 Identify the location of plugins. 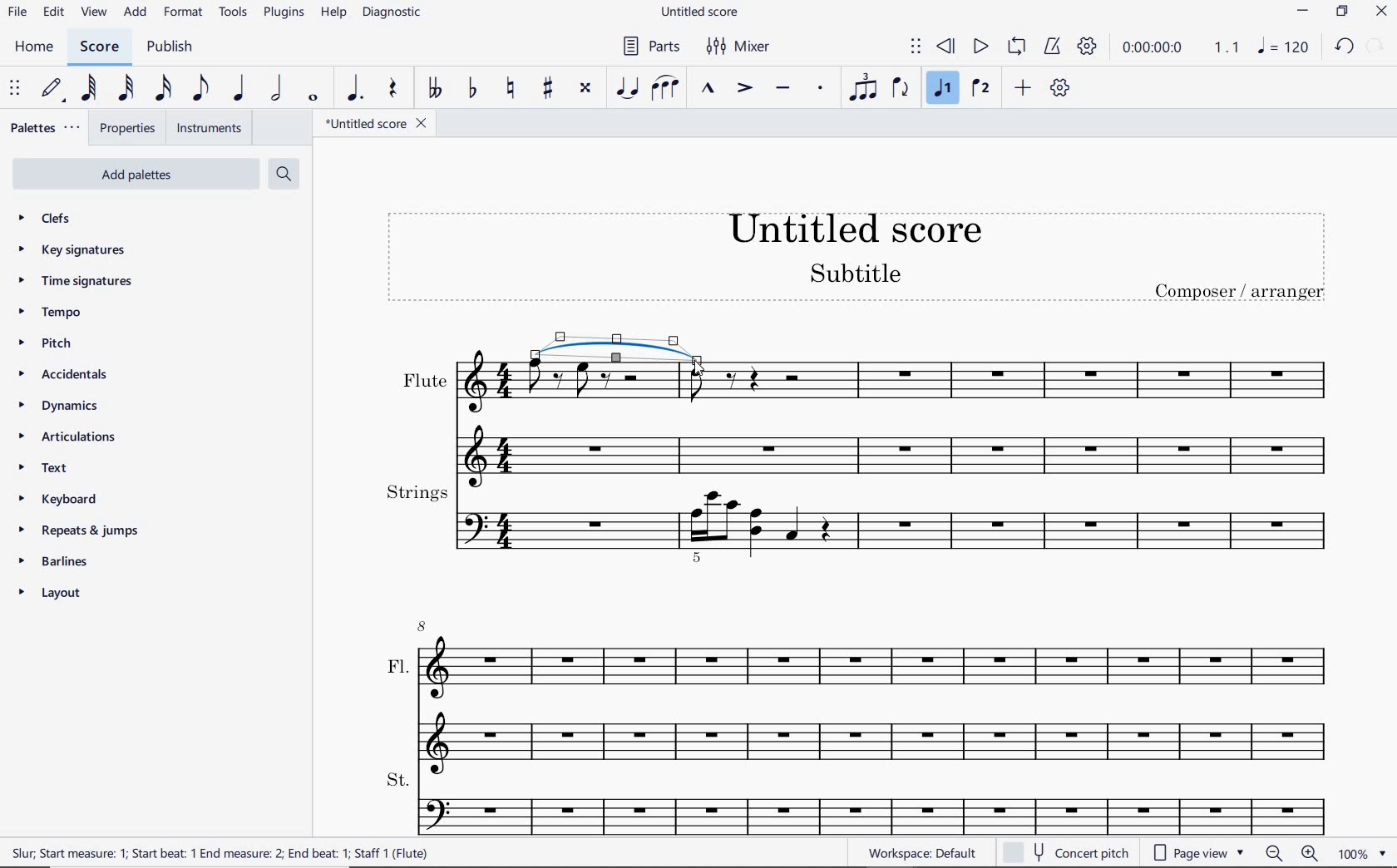
(282, 12).